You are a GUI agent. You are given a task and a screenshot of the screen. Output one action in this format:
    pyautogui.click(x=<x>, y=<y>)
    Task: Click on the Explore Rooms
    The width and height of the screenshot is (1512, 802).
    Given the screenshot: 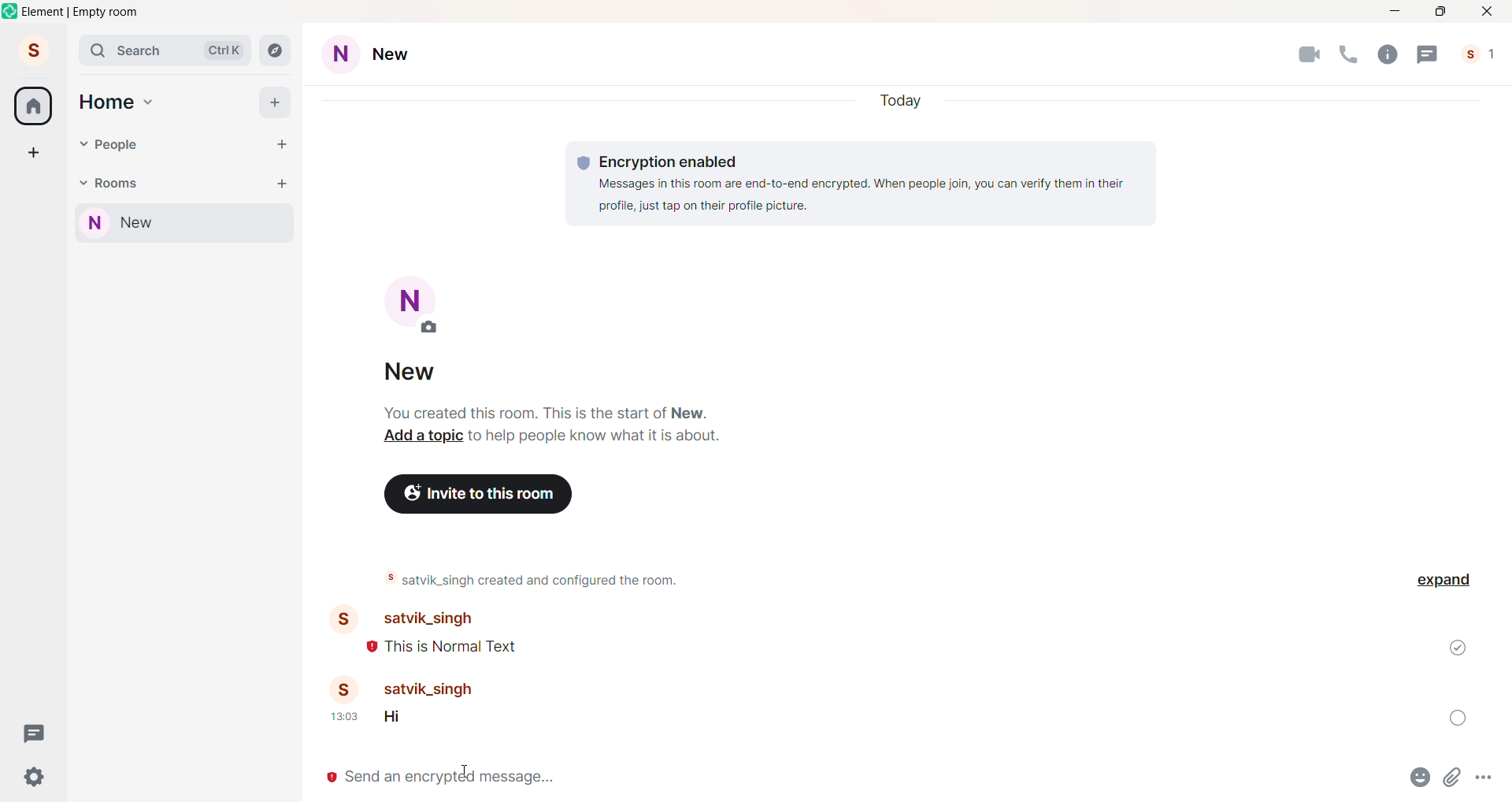 What is the action you would take?
    pyautogui.click(x=277, y=52)
    